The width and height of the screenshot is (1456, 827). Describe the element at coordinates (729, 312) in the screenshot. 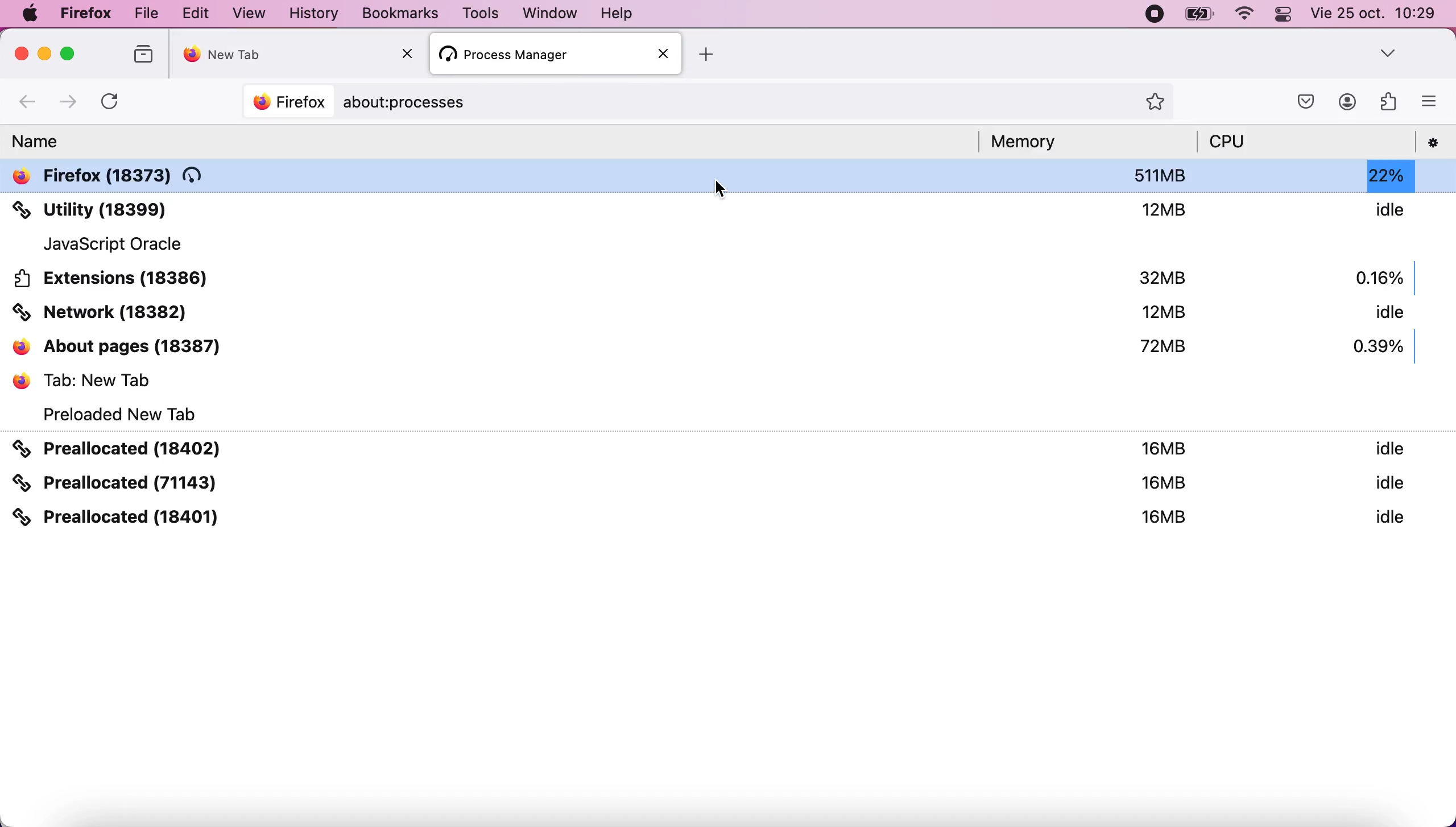

I see `Network` at that location.